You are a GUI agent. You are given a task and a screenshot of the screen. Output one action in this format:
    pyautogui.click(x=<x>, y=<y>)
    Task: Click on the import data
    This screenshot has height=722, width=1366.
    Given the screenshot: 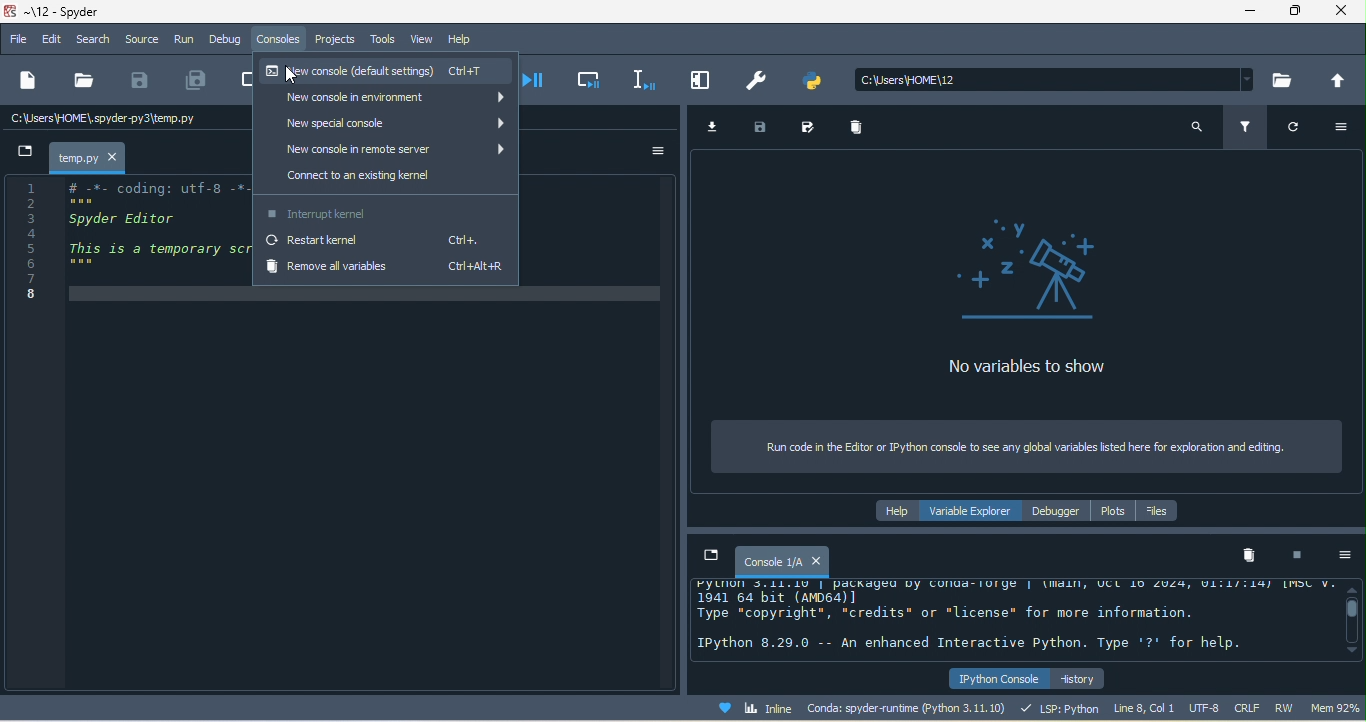 What is the action you would take?
    pyautogui.click(x=716, y=127)
    